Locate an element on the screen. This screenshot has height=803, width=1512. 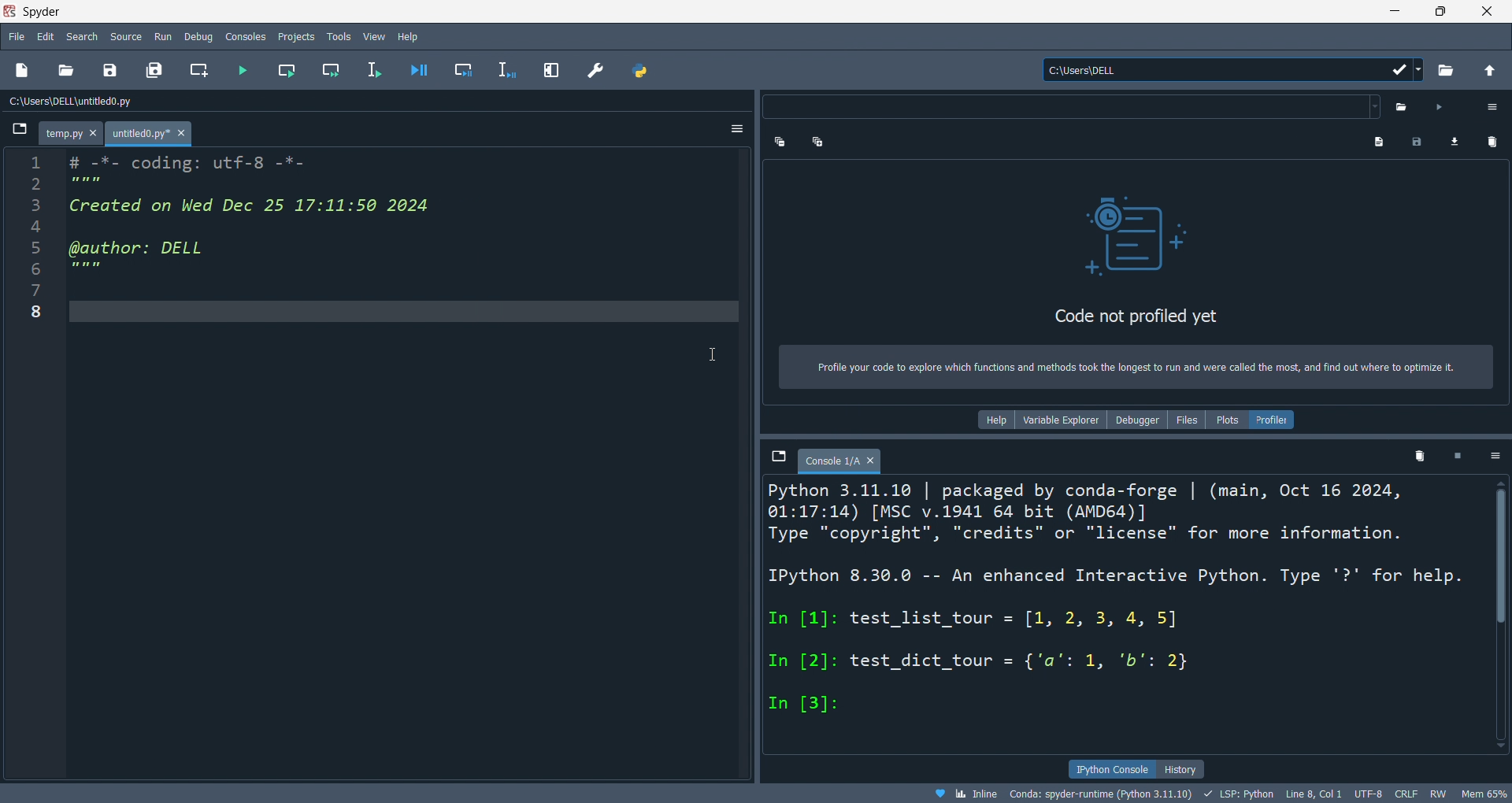
open file is located at coordinates (68, 68).